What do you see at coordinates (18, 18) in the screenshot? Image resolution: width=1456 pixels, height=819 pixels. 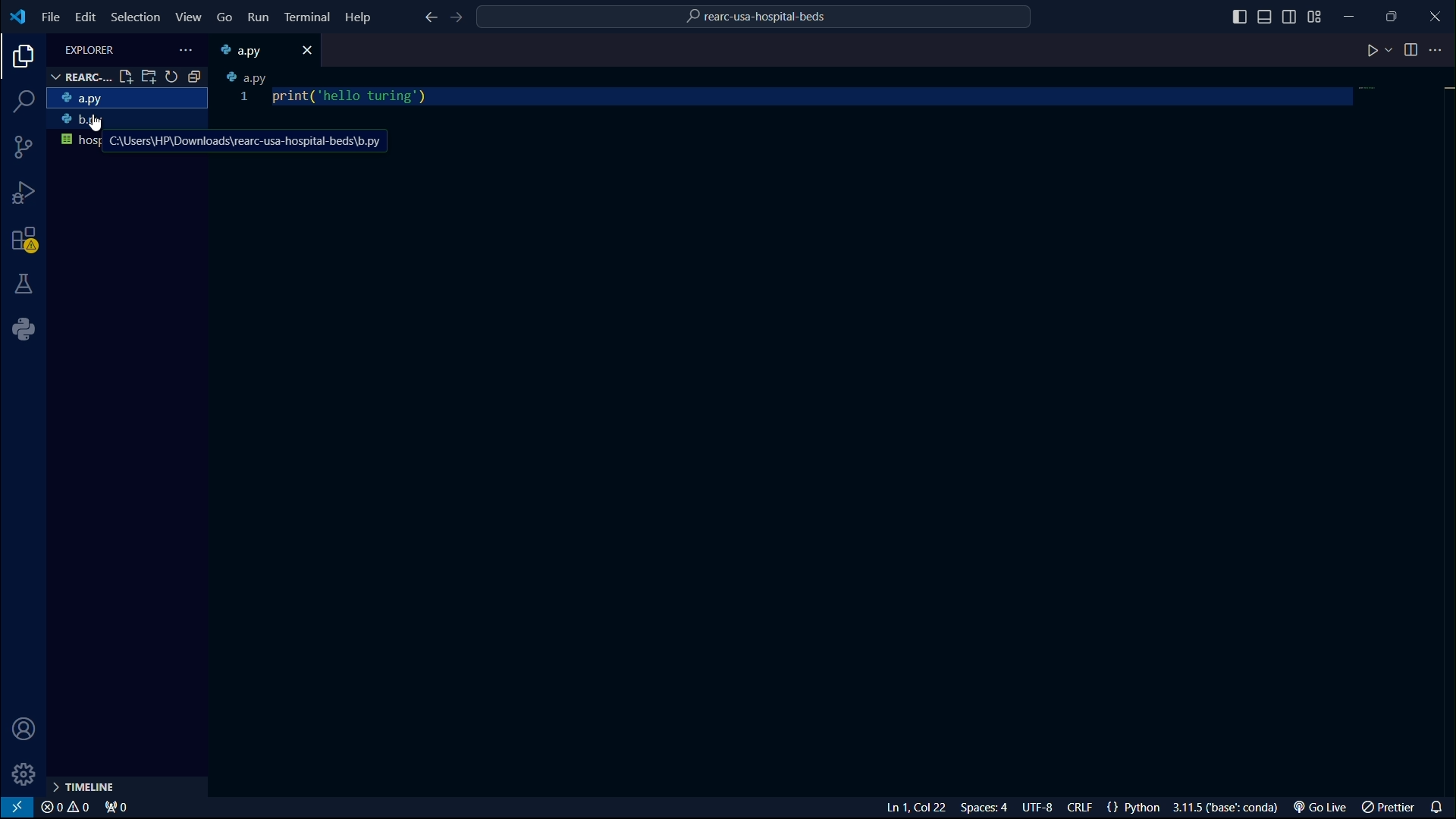 I see `logo` at bounding box center [18, 18].